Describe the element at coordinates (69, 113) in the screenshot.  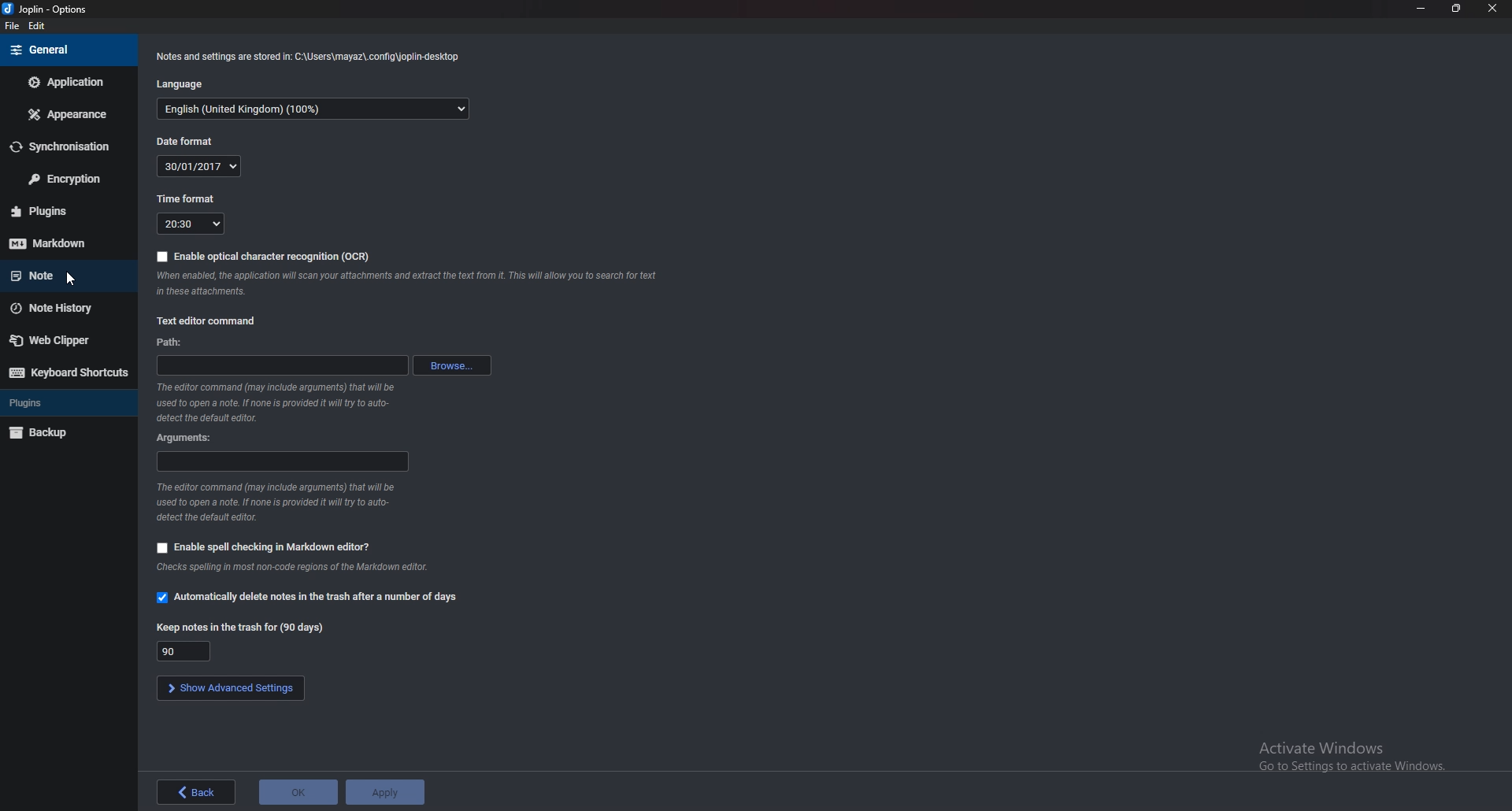
I see `Appearance` at that location.